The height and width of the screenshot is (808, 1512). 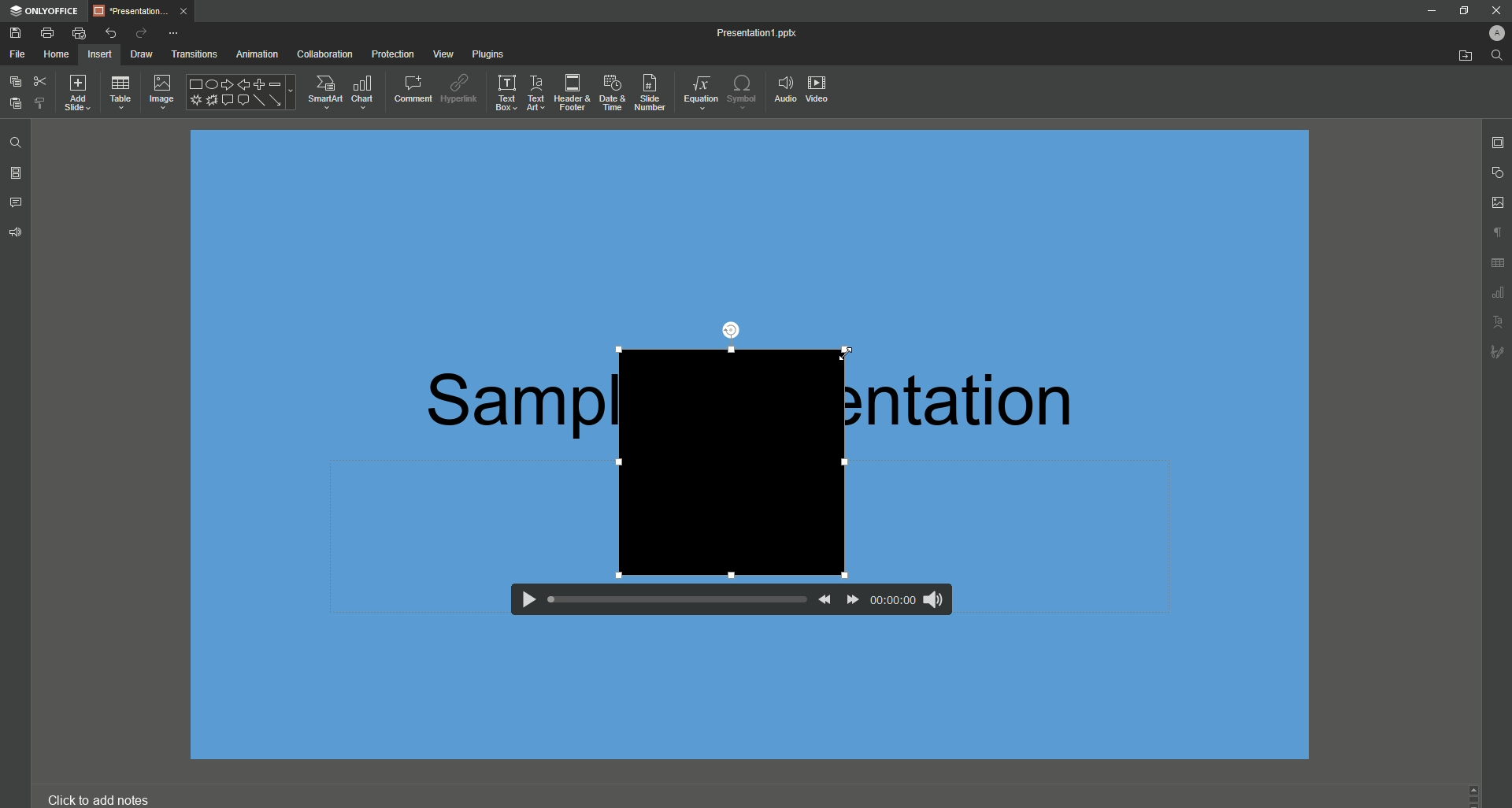 I want to click on Home, so click(x=57, y=55).